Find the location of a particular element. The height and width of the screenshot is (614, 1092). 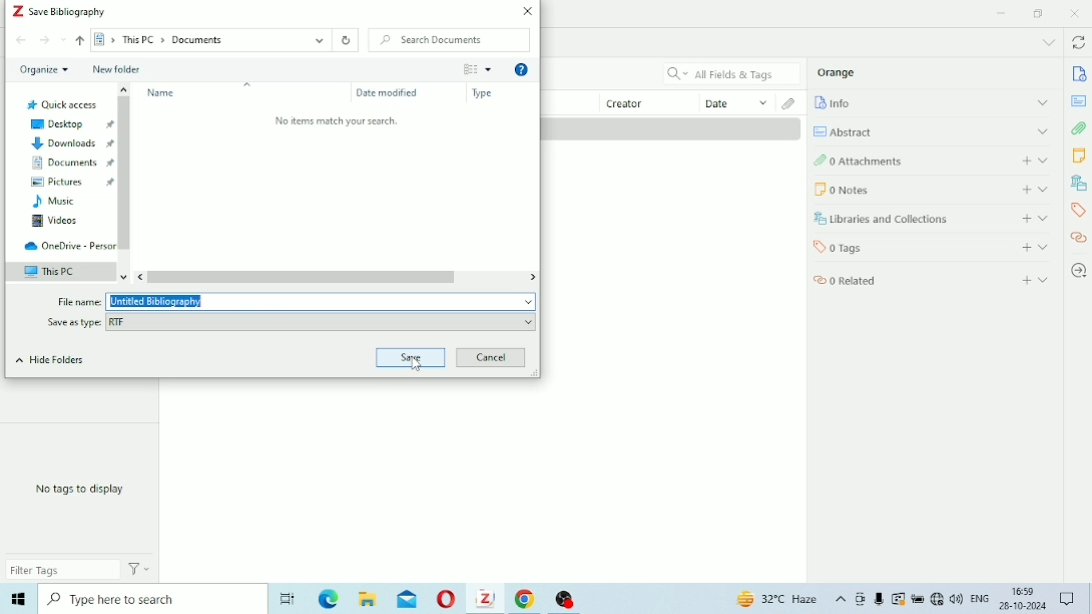

Tags is located at coordinates (932, 246).